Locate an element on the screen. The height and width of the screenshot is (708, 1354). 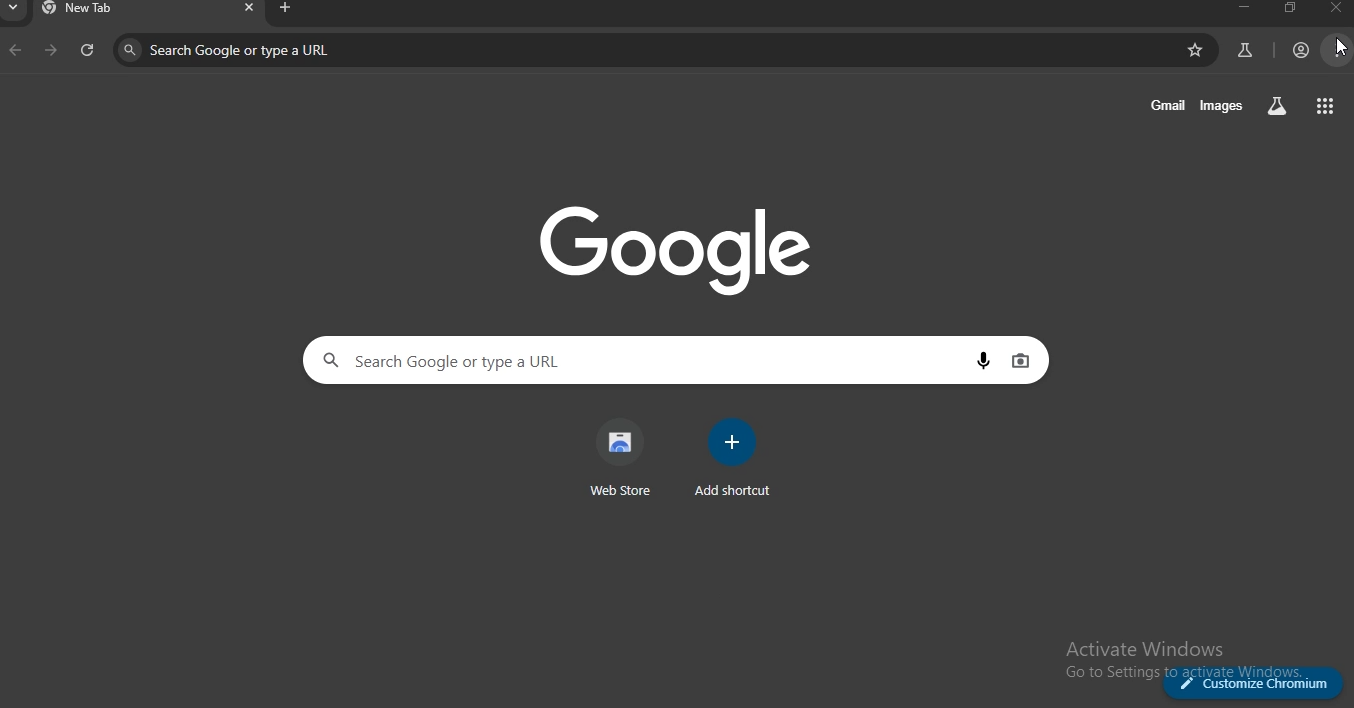
add shortcut is located at coordinates (736, 457).